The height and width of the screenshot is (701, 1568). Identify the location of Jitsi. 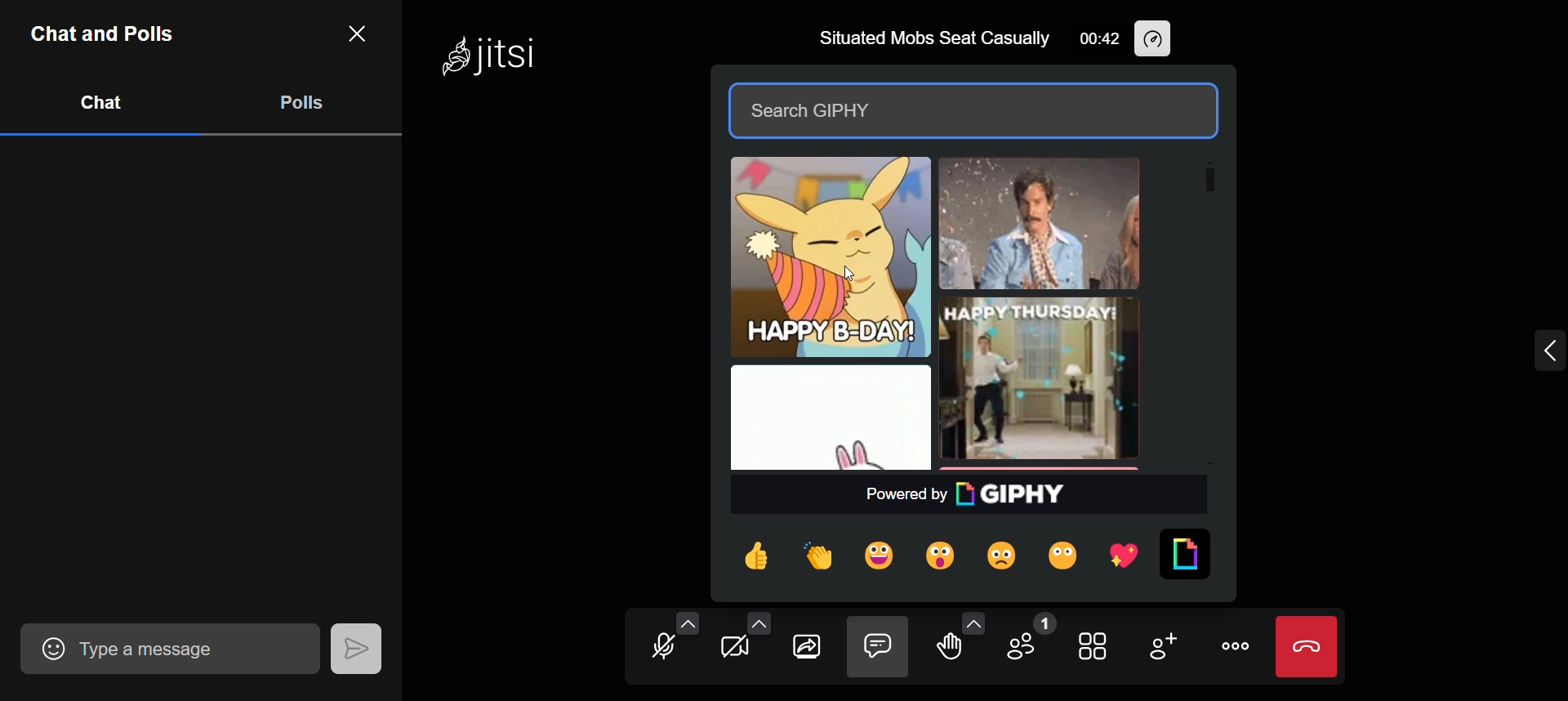
(493, 52).